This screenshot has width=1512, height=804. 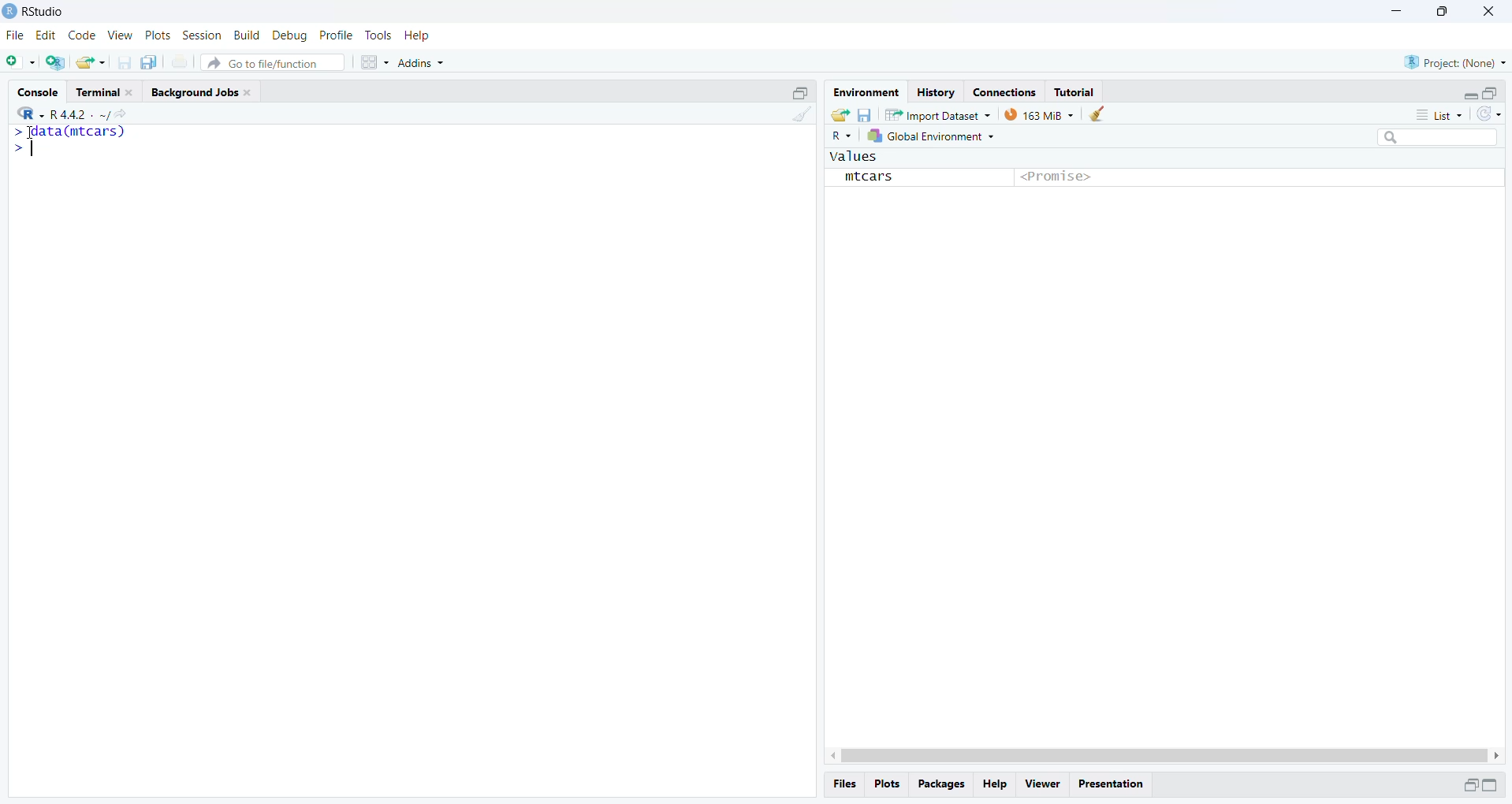 What do you see at coordinates (150, 62) in the screenshot?
I see `copy` at bounding box center [150, 62].